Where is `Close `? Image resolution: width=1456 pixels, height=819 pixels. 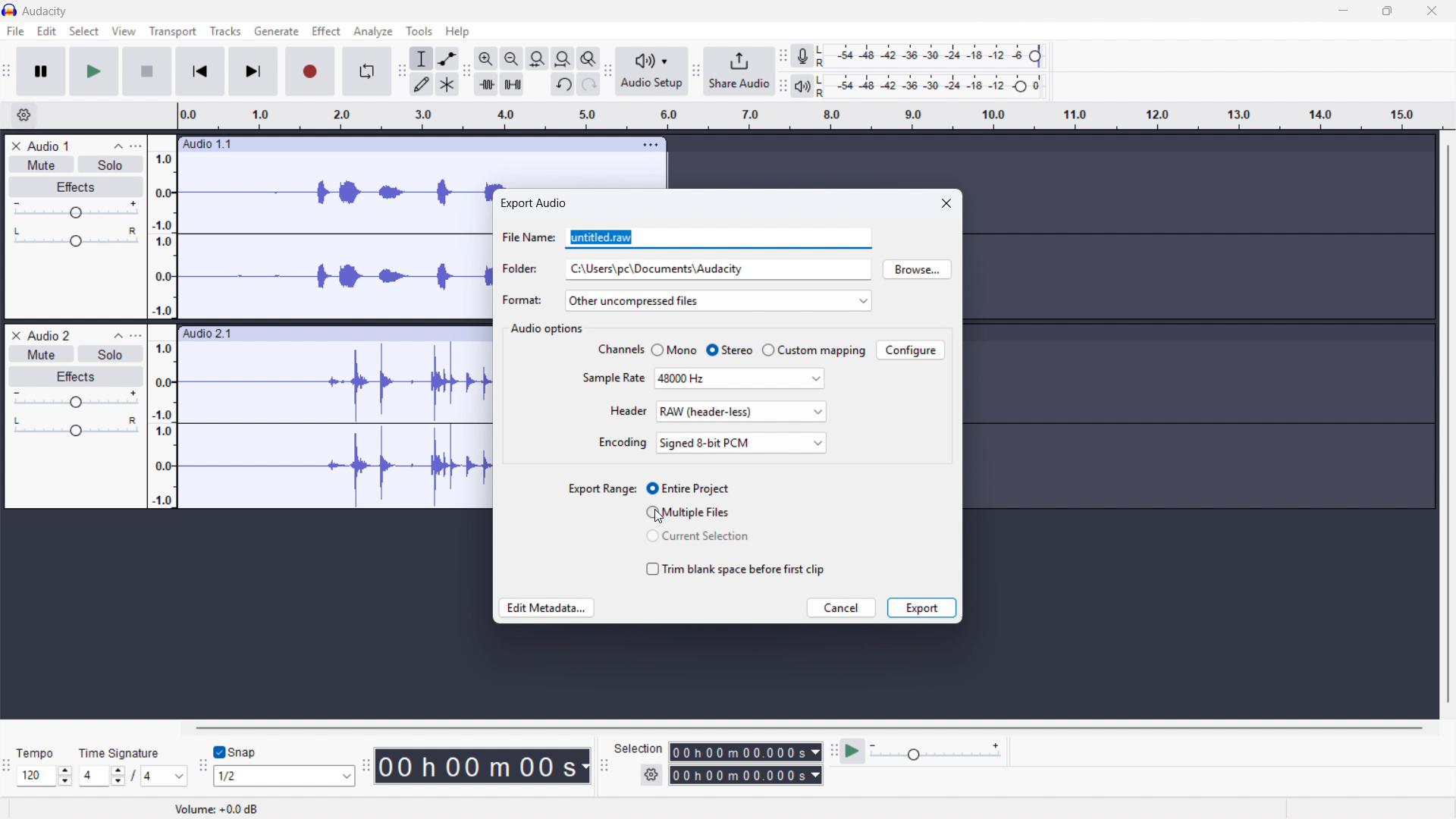 Close  is located at coordinates (1431, 11).